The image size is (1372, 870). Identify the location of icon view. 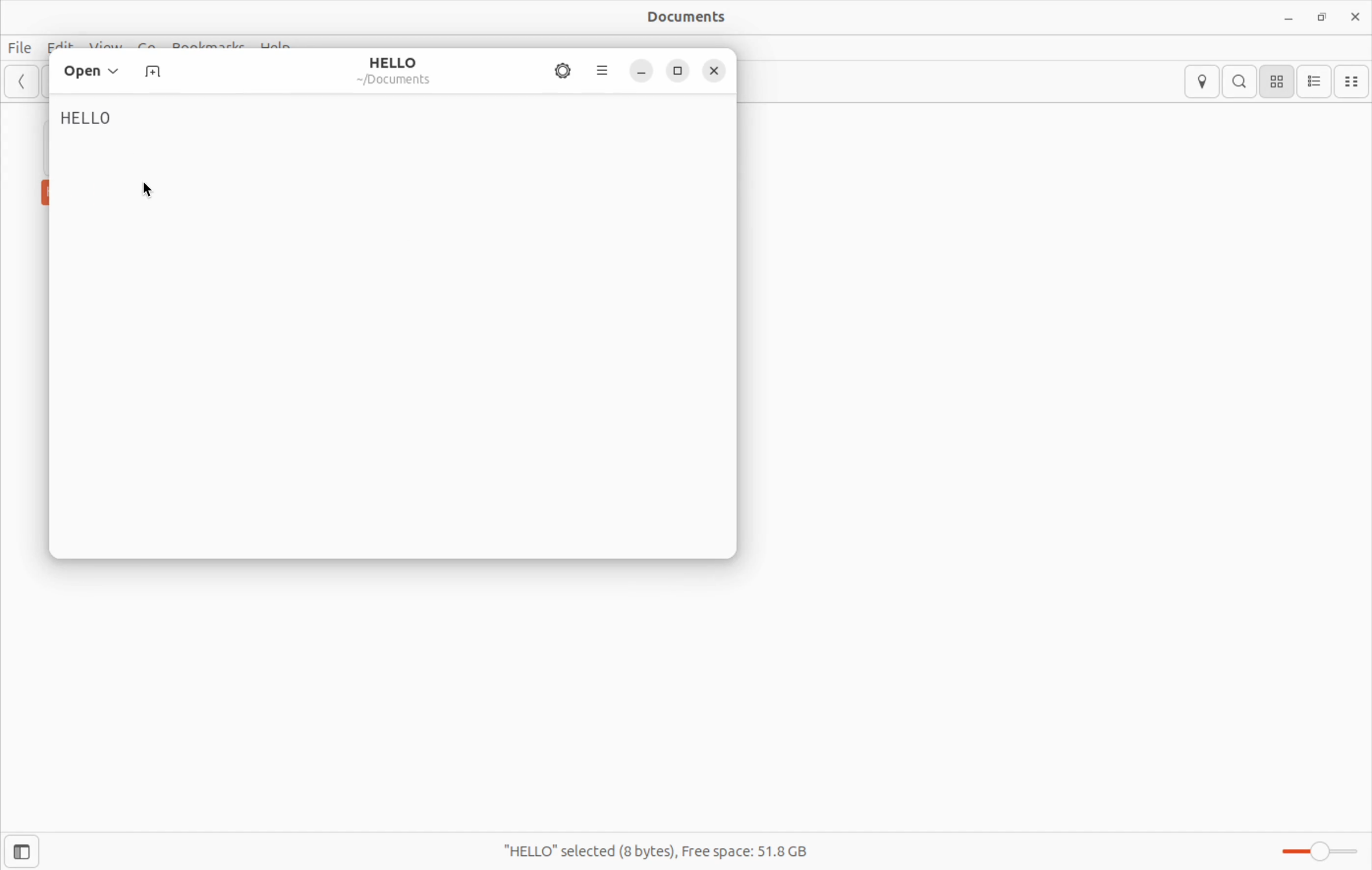
(1279, 82).